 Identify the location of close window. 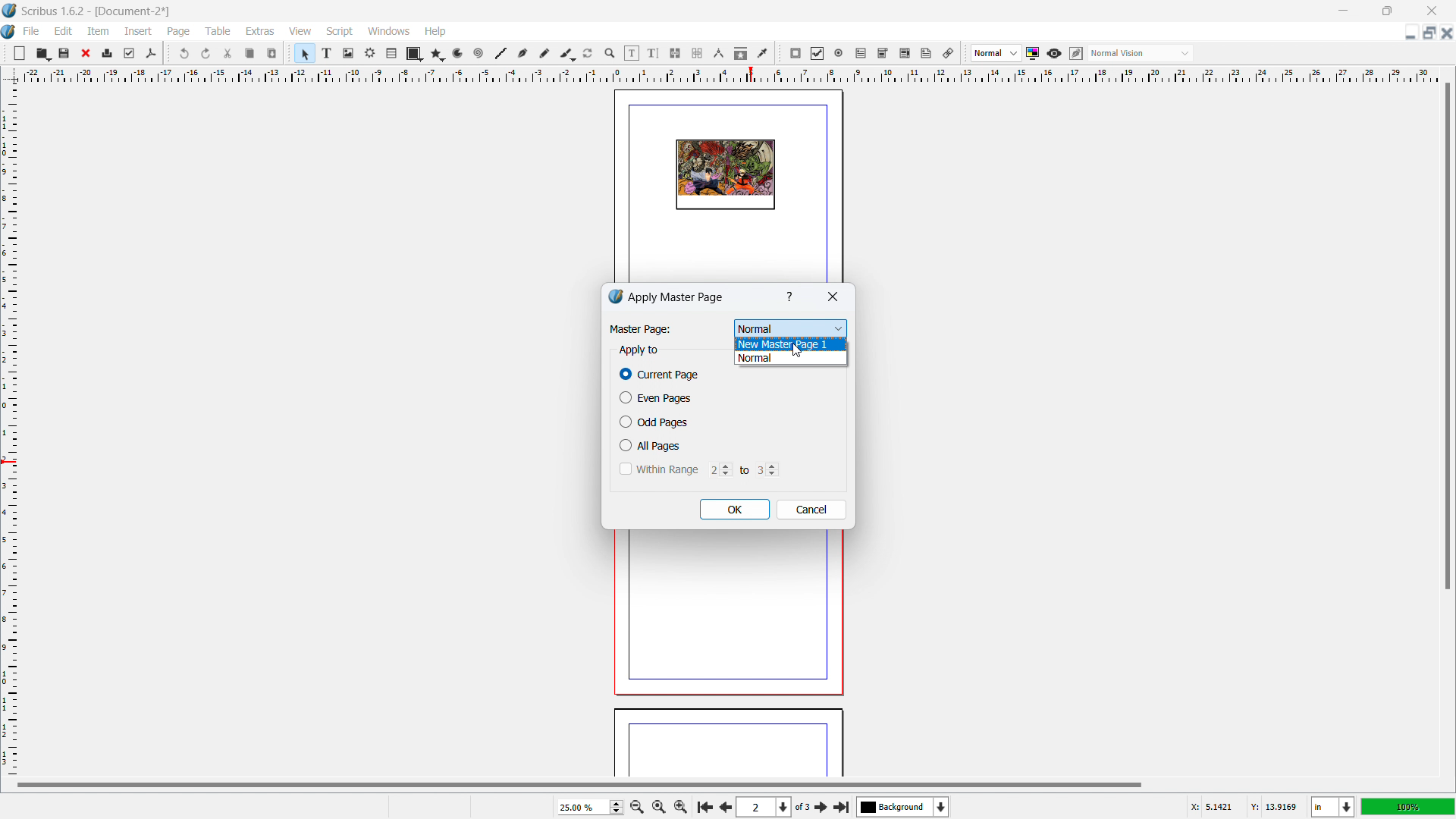
(1430, 10).